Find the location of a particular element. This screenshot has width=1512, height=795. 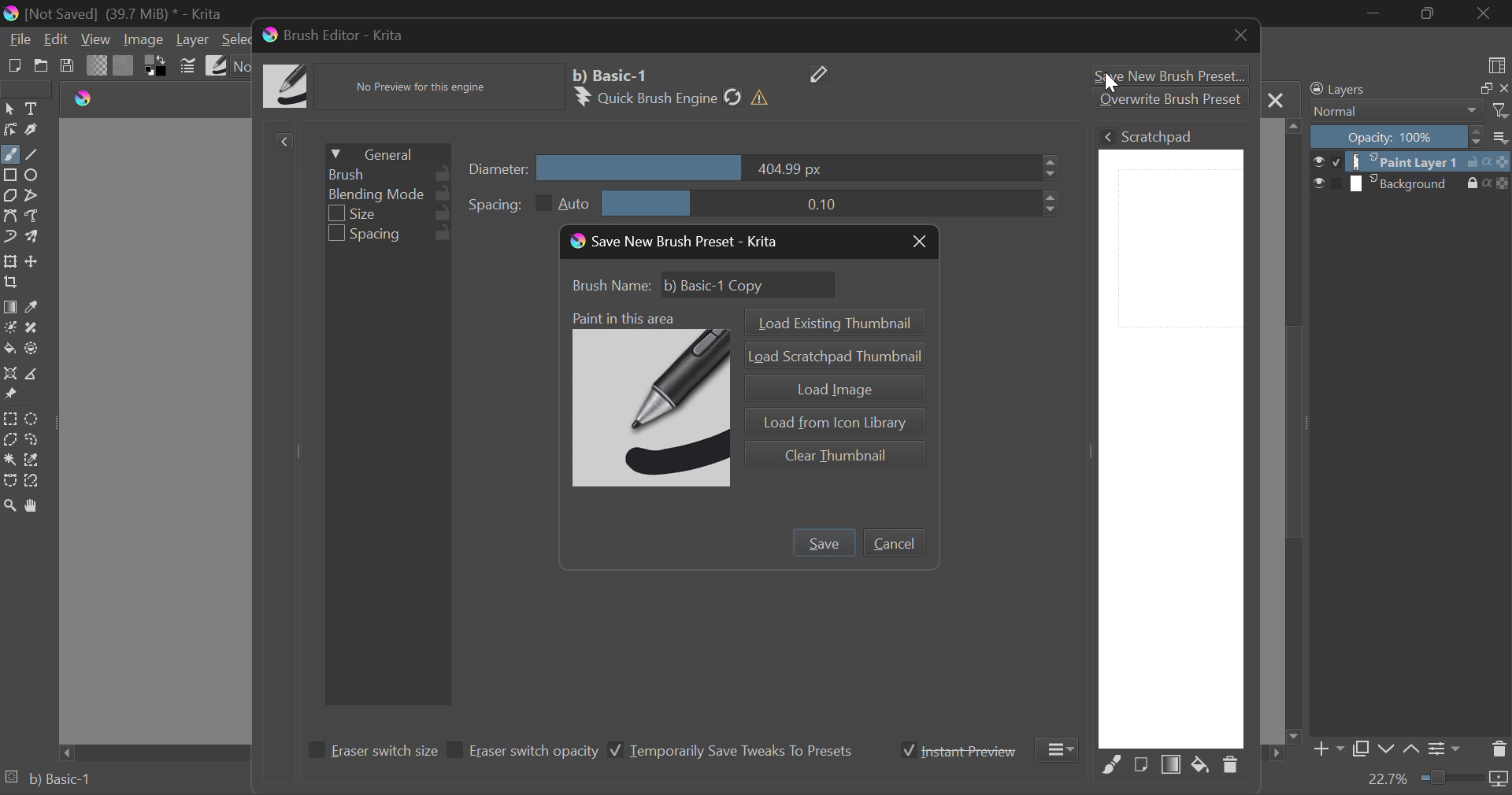

Opacity is located at coordinates (1410, 138).